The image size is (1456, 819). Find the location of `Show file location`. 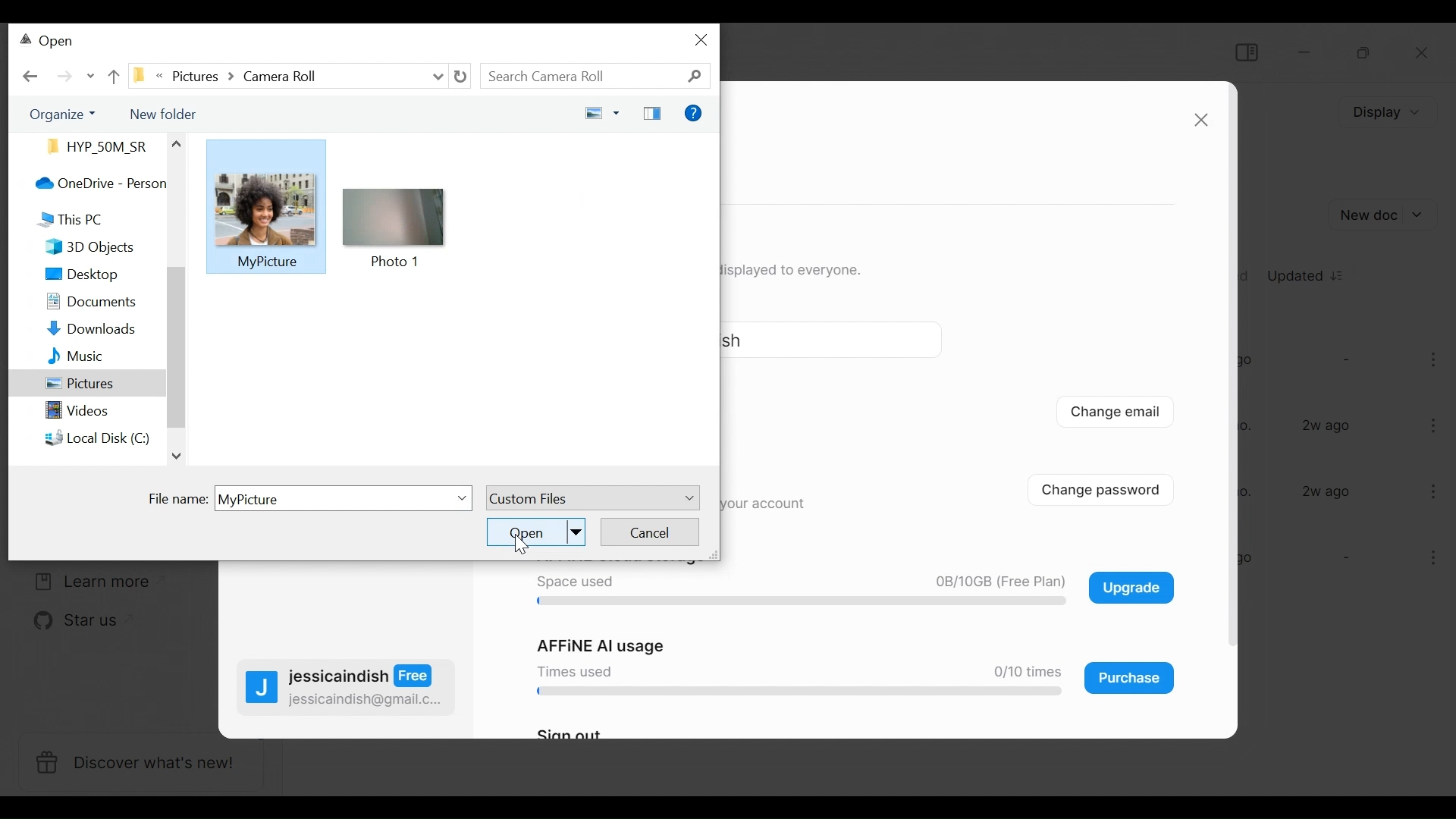

Show file location is located at coordinates (285, 74).